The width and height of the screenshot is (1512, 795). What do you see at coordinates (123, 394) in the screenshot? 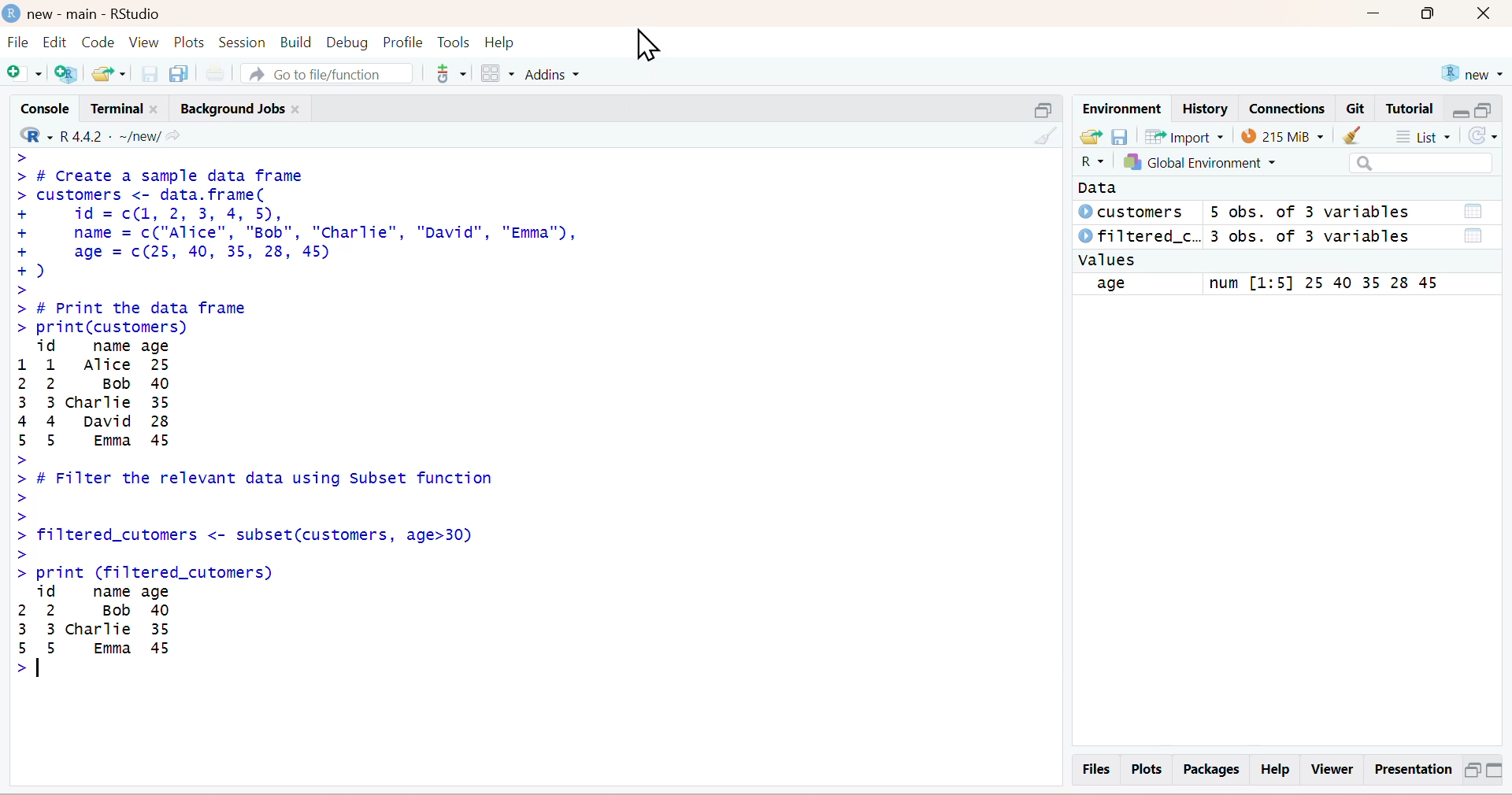
I see `id name age 1 1 Alice 22 Bob 40 Charlie 35David 285 5 Emma 45>>` at bounding box center [123, 394].